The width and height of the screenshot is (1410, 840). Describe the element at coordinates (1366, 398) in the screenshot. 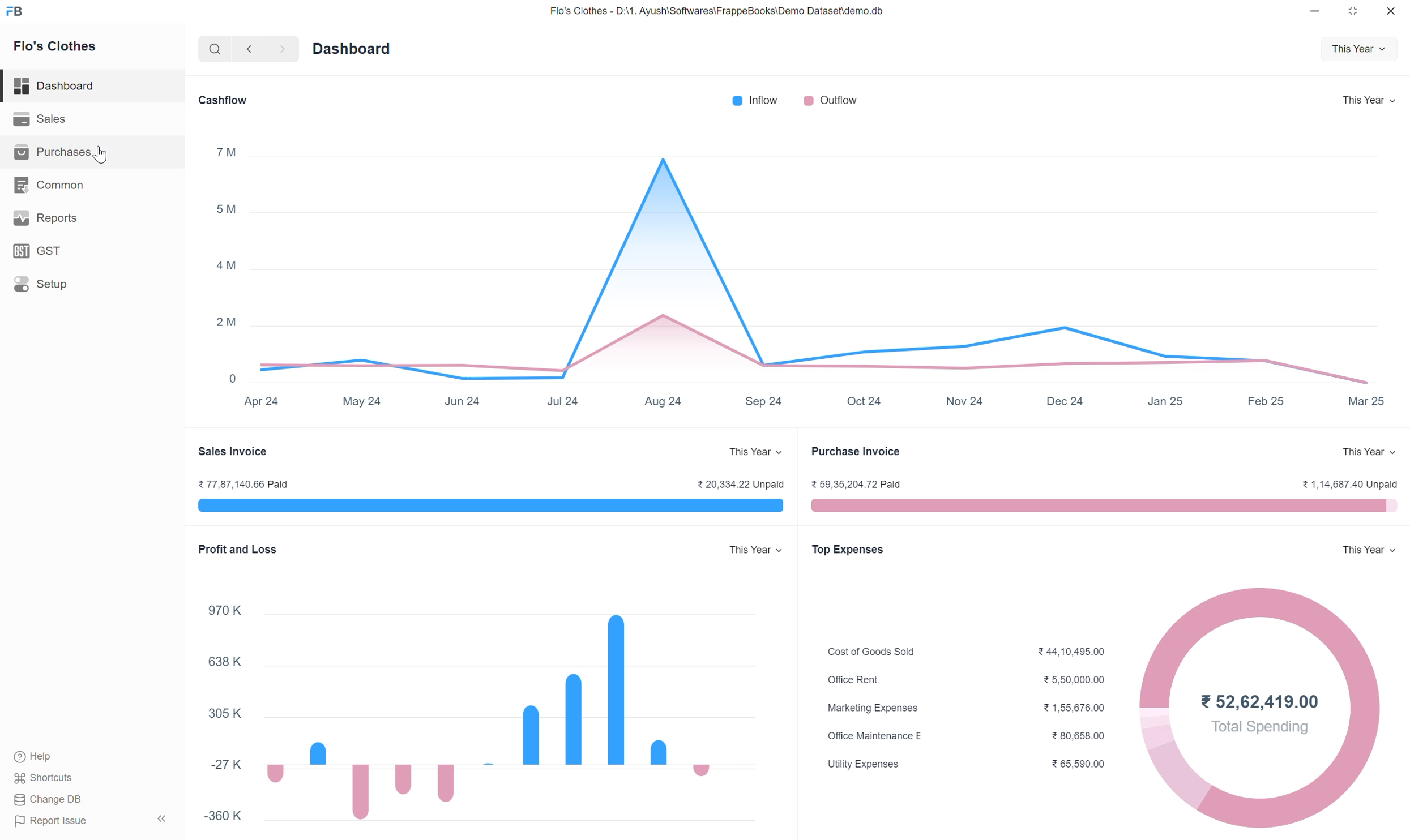

I see `mar 25` at that location.